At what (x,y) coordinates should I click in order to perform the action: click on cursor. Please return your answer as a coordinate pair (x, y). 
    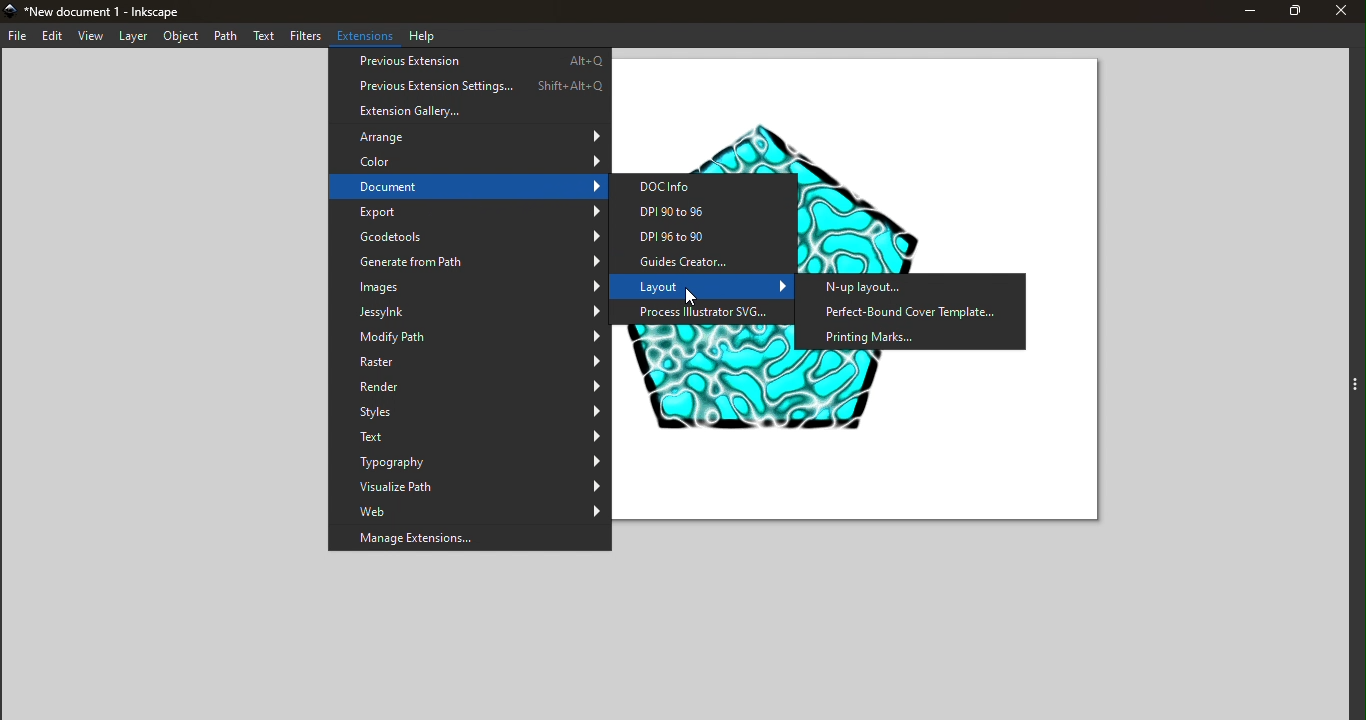
    Looking at the image, I should click on (688, 298).